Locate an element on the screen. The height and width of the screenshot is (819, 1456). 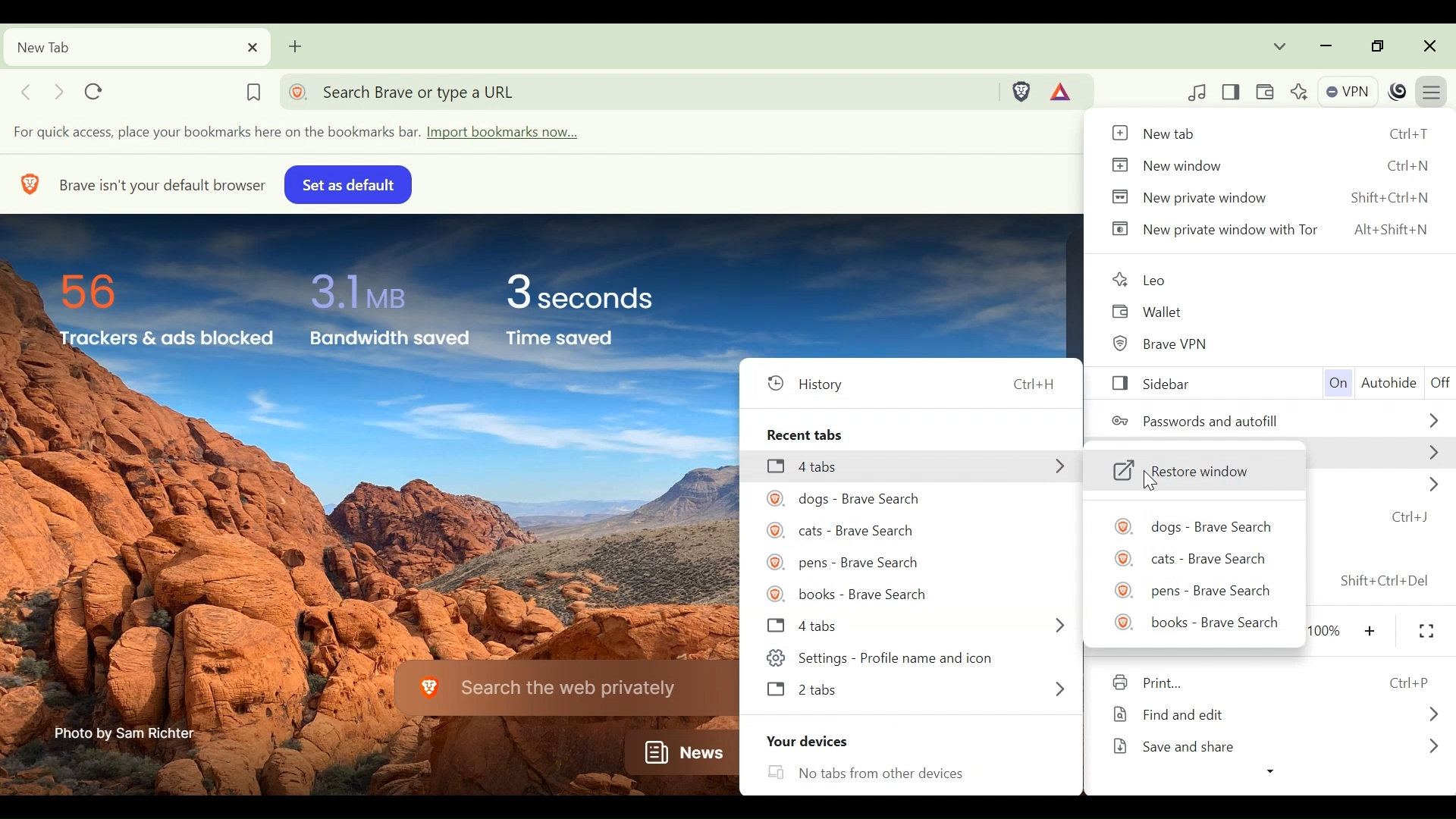
 is located at coordinates (1156, 278).